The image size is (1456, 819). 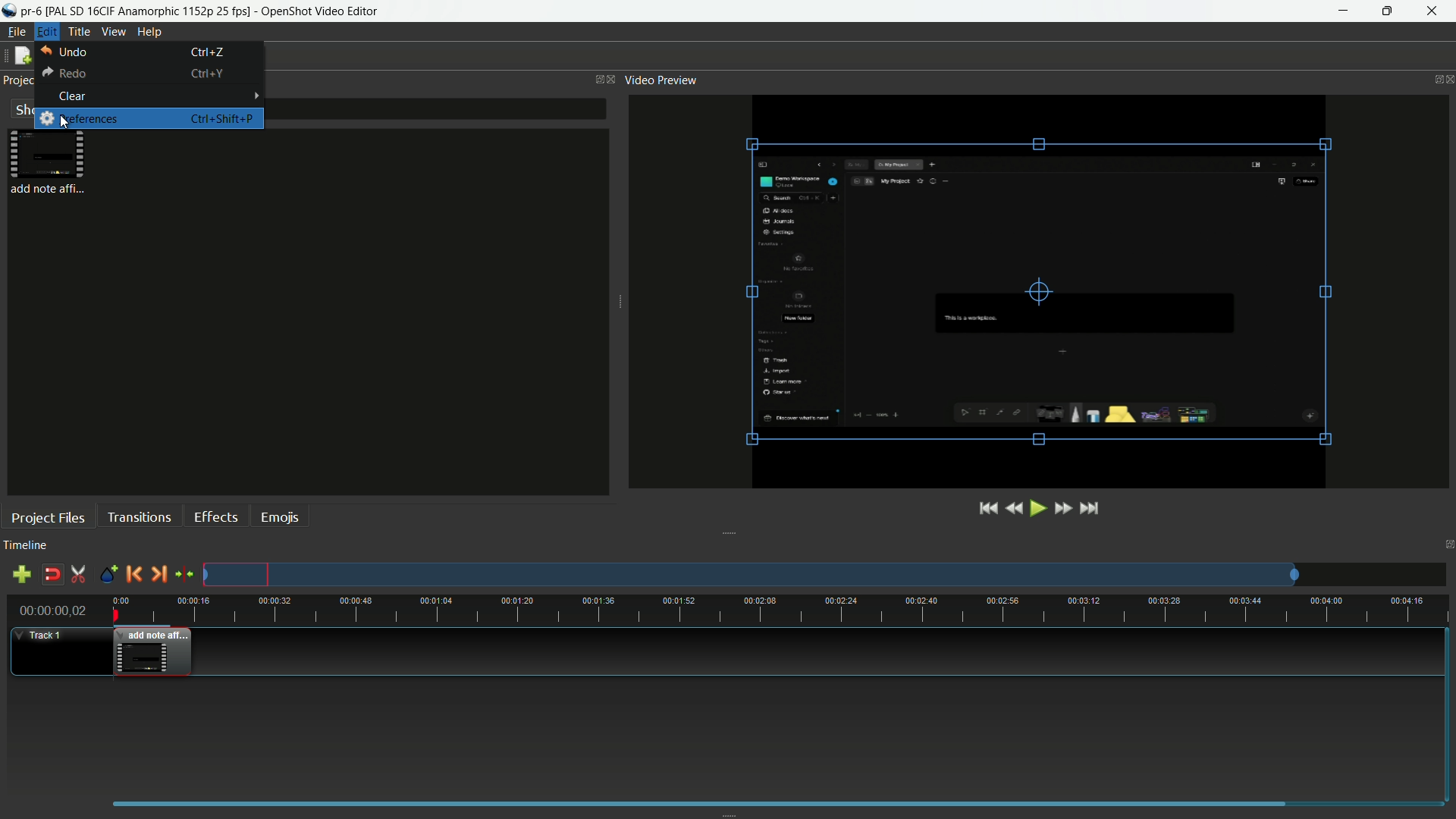 What do you see at coordinates (160, 573) in the screenshot?
I see `next marker` at bounding box center [160, 573].